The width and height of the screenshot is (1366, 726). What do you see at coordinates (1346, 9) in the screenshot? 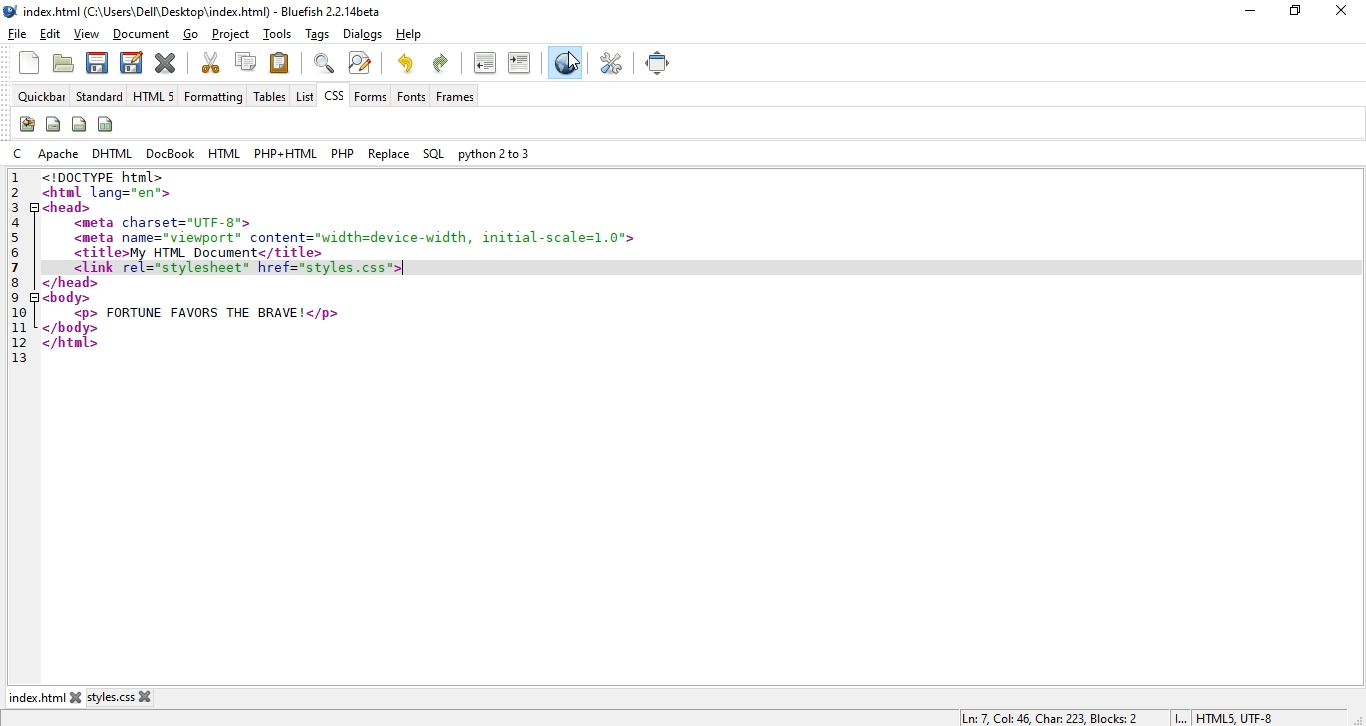
I see `close` at bounding box center [1346, 9].